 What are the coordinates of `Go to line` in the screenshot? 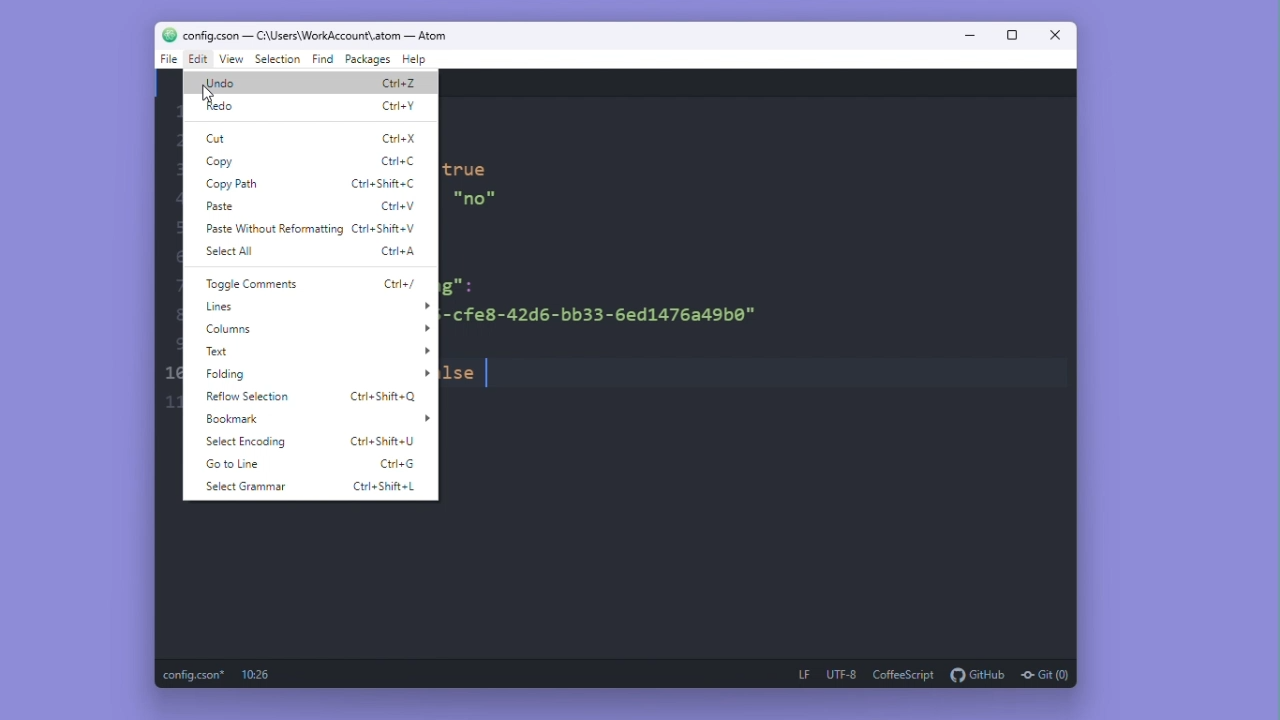 It's located at (240, 464).